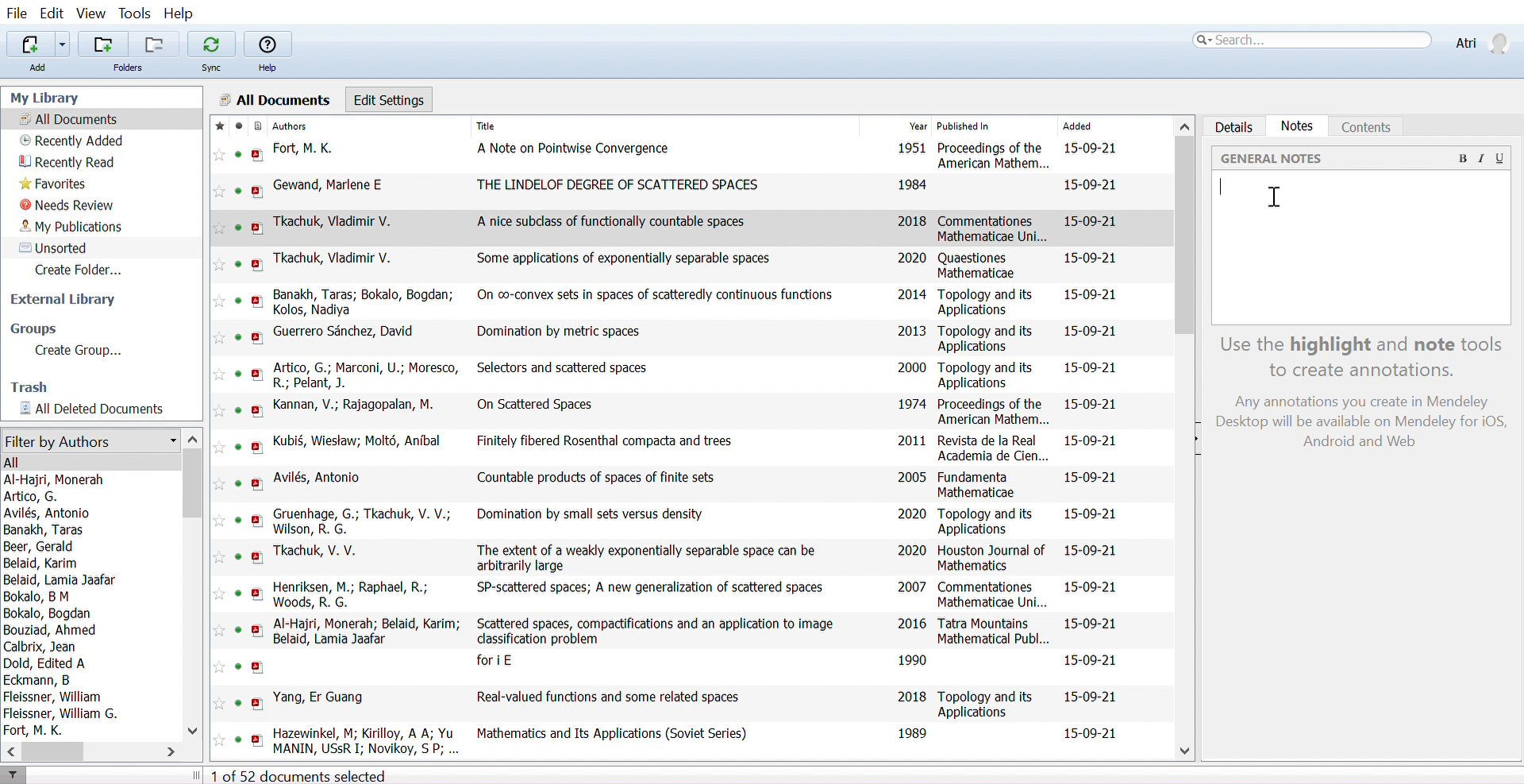  Describe the element at coordinates (220, 484) in the screenshot. I see `Add this reference to favorites` at that location.